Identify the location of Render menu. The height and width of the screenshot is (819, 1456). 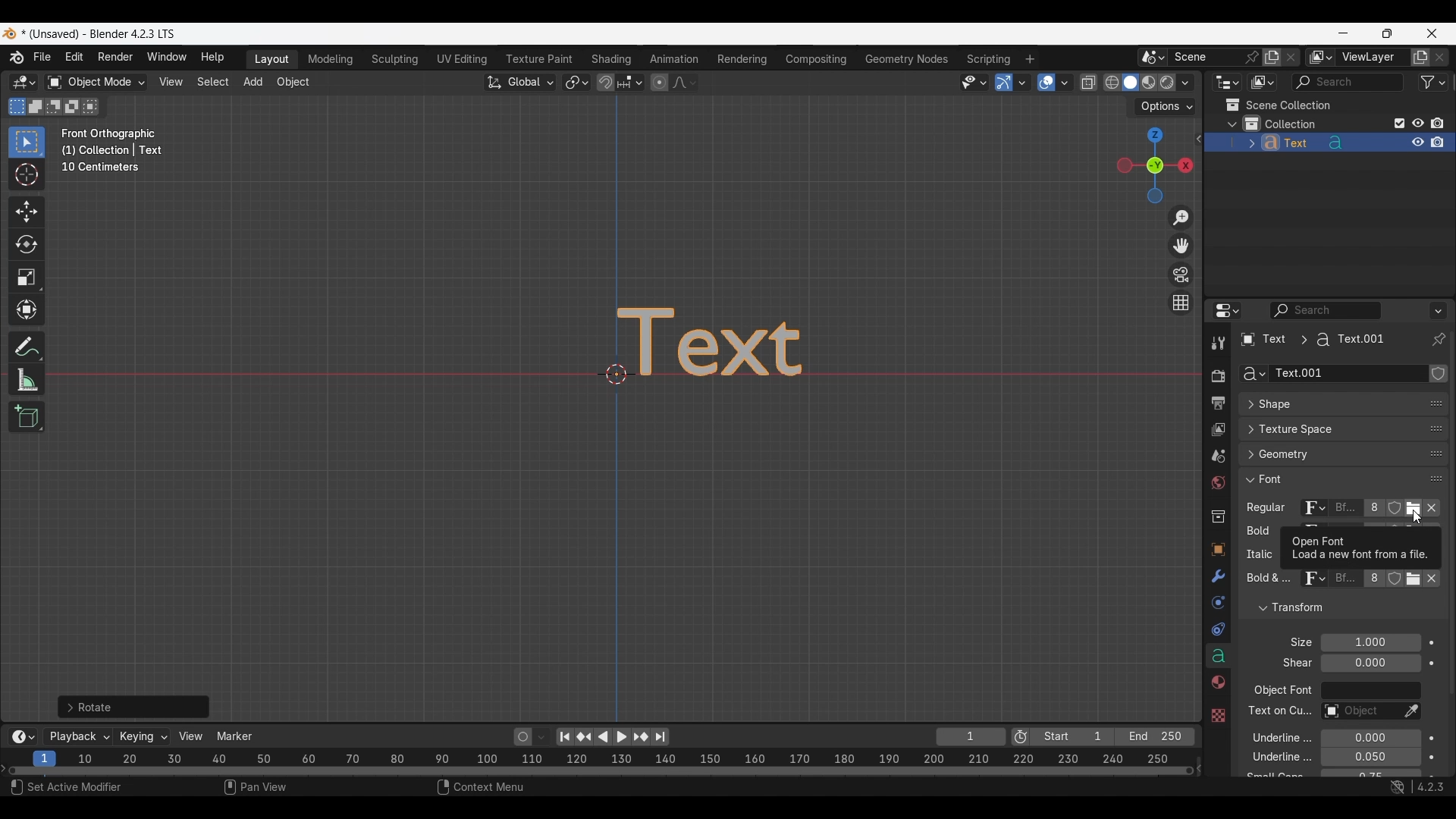
(115, 58).